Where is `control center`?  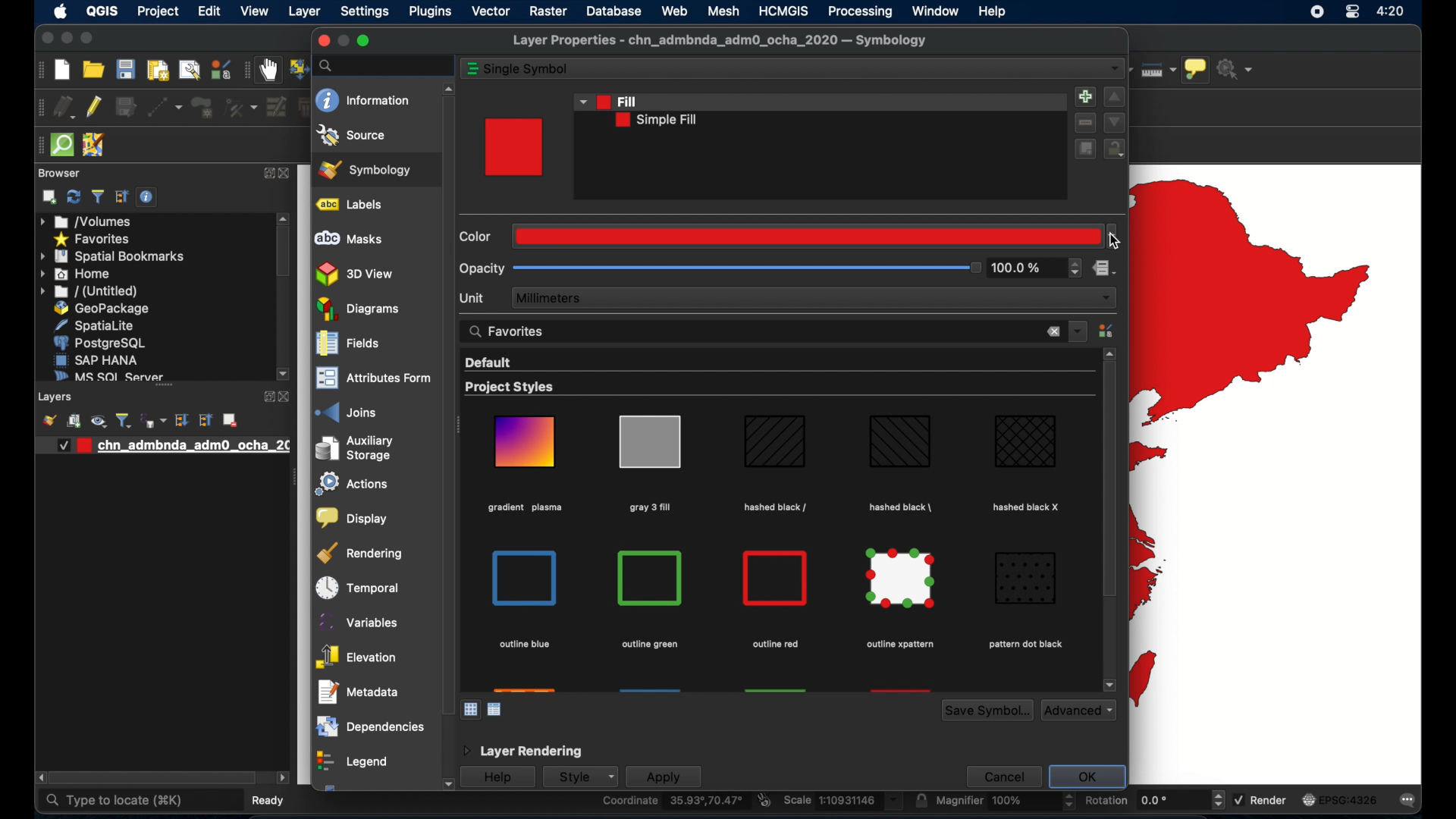 control center is located at coordinates (1352, 13).